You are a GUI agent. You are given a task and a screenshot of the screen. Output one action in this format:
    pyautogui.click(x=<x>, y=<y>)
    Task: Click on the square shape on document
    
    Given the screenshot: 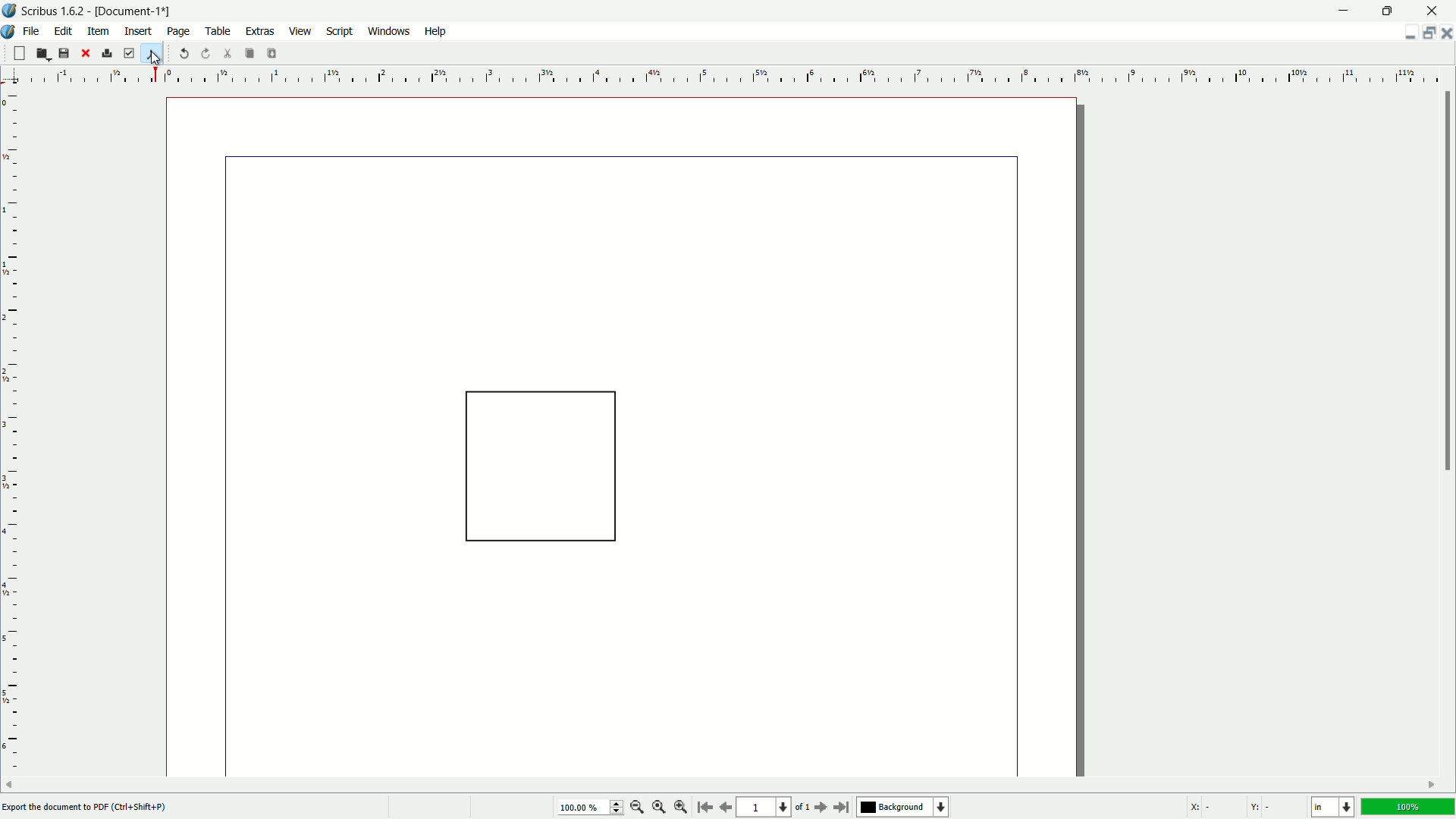 What is the action you would take?
    pyautogui.click(x=539, y=472)
    